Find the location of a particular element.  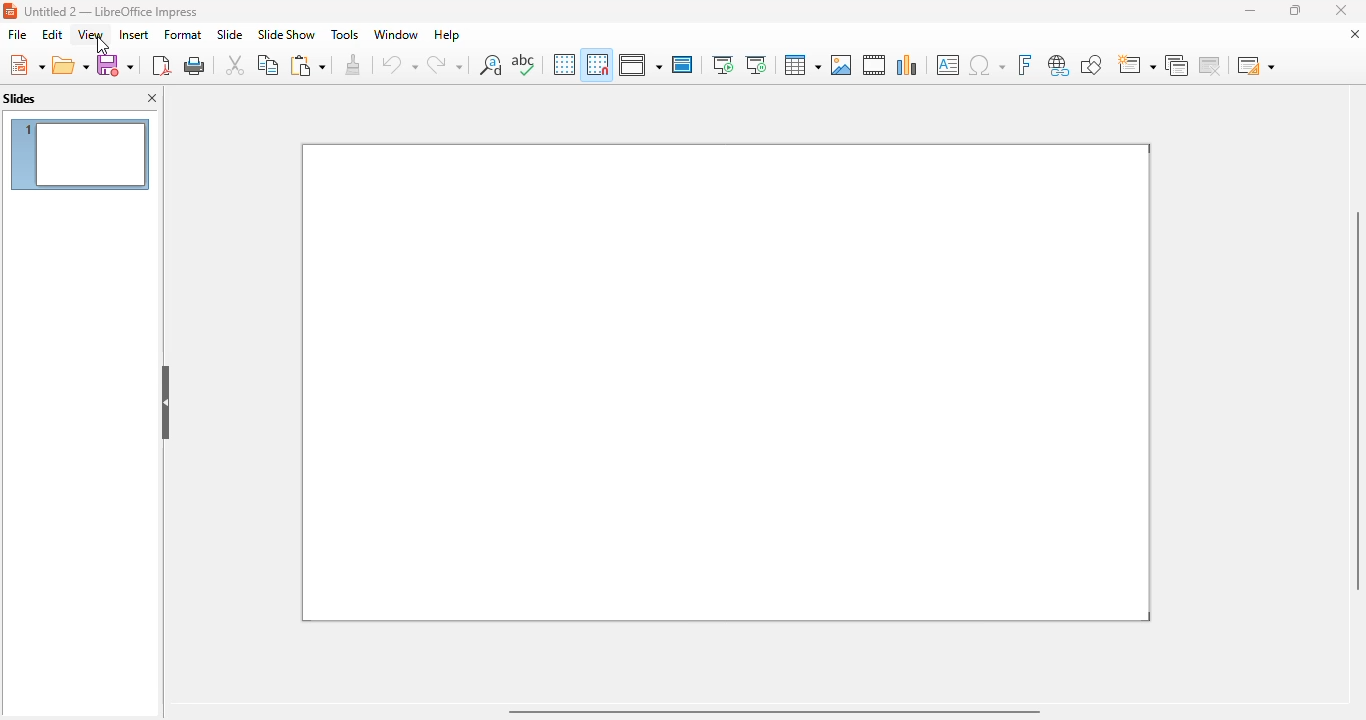

slide layout is located at coordinates (1256, 64).